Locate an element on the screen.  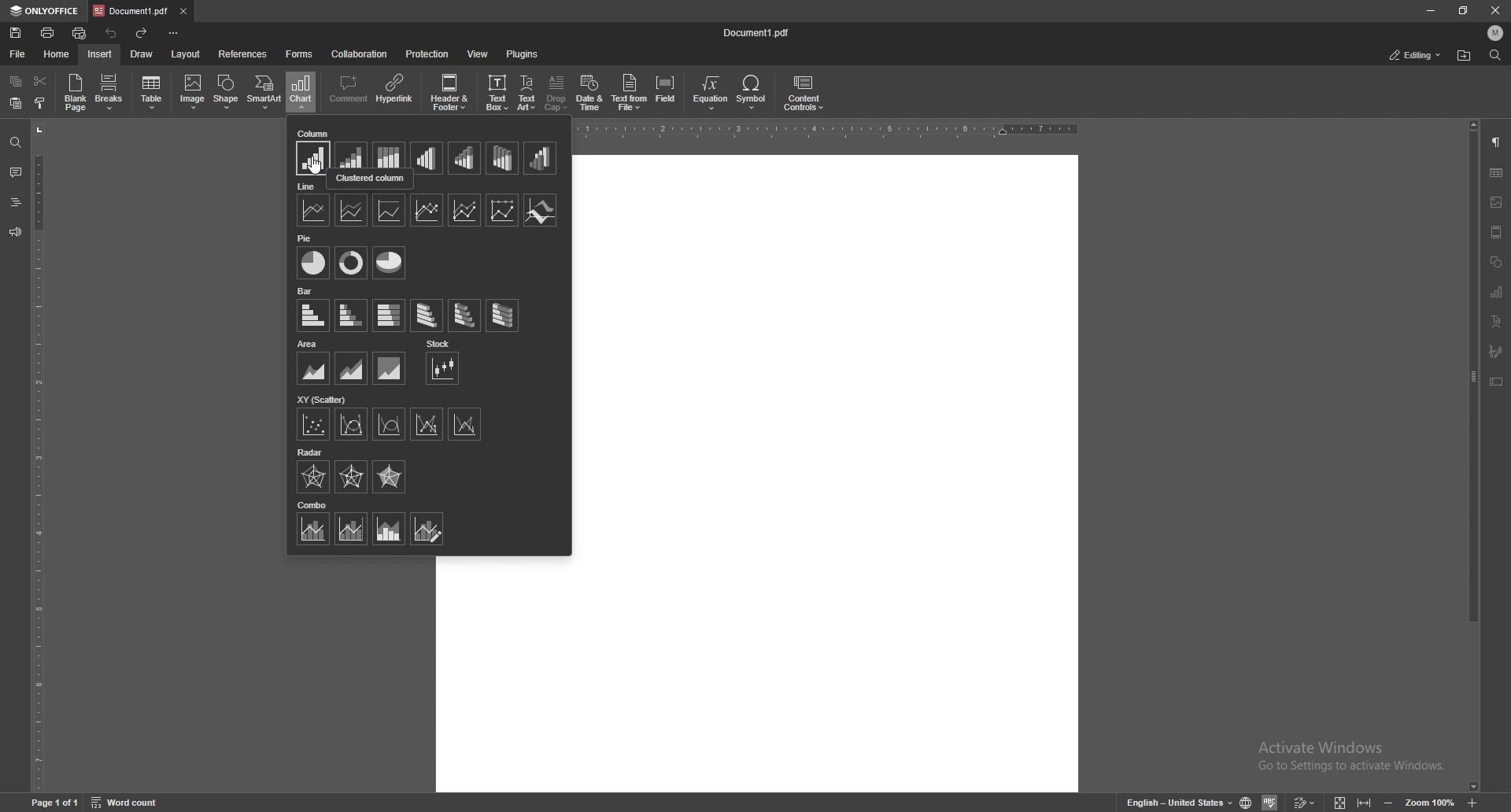
save is located at coordinates (16, 32).